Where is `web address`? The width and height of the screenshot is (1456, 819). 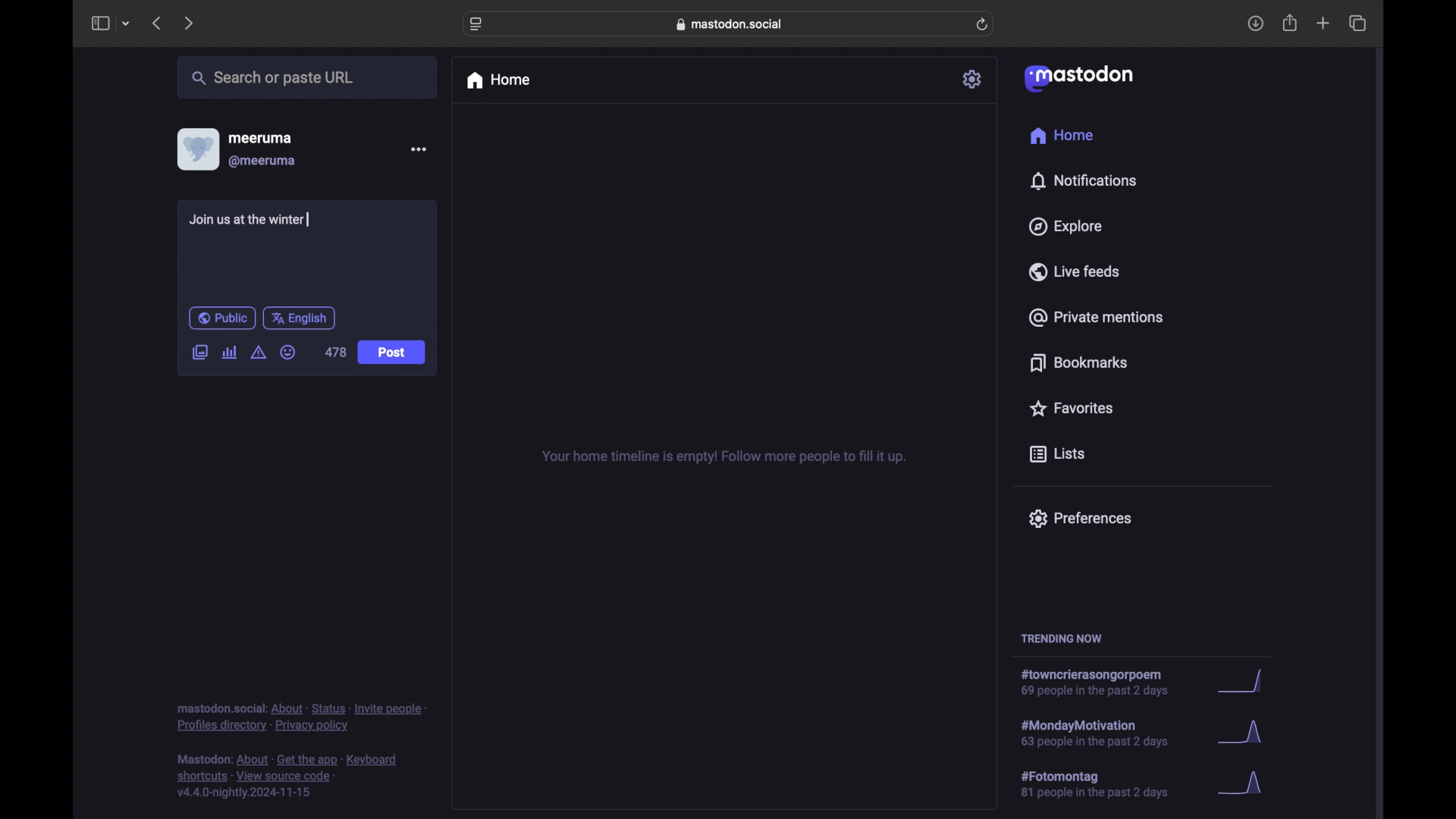
web address is located at coordinates (733, 24).